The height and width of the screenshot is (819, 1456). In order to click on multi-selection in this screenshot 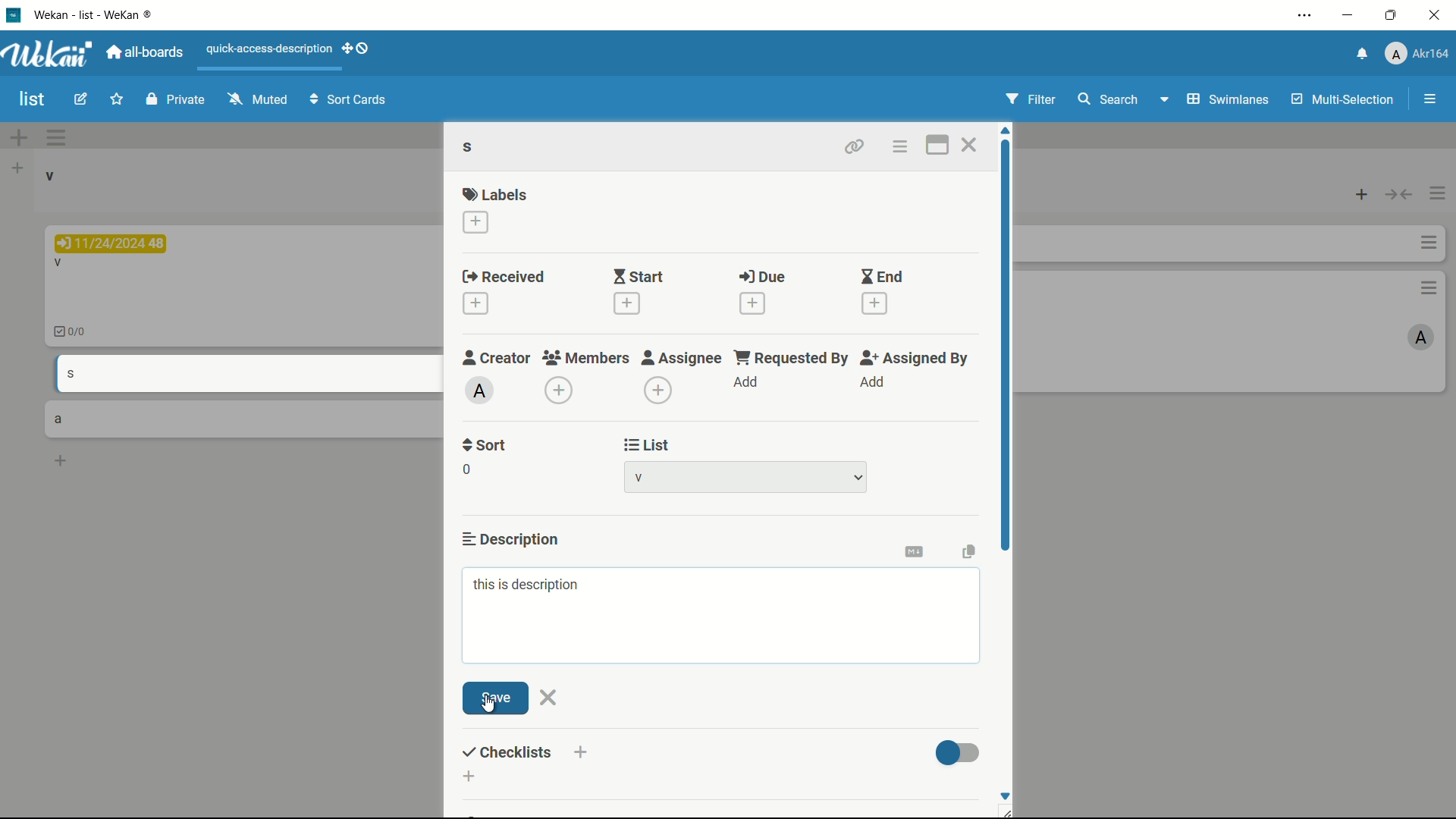, I will do `click(1343, 100)`.